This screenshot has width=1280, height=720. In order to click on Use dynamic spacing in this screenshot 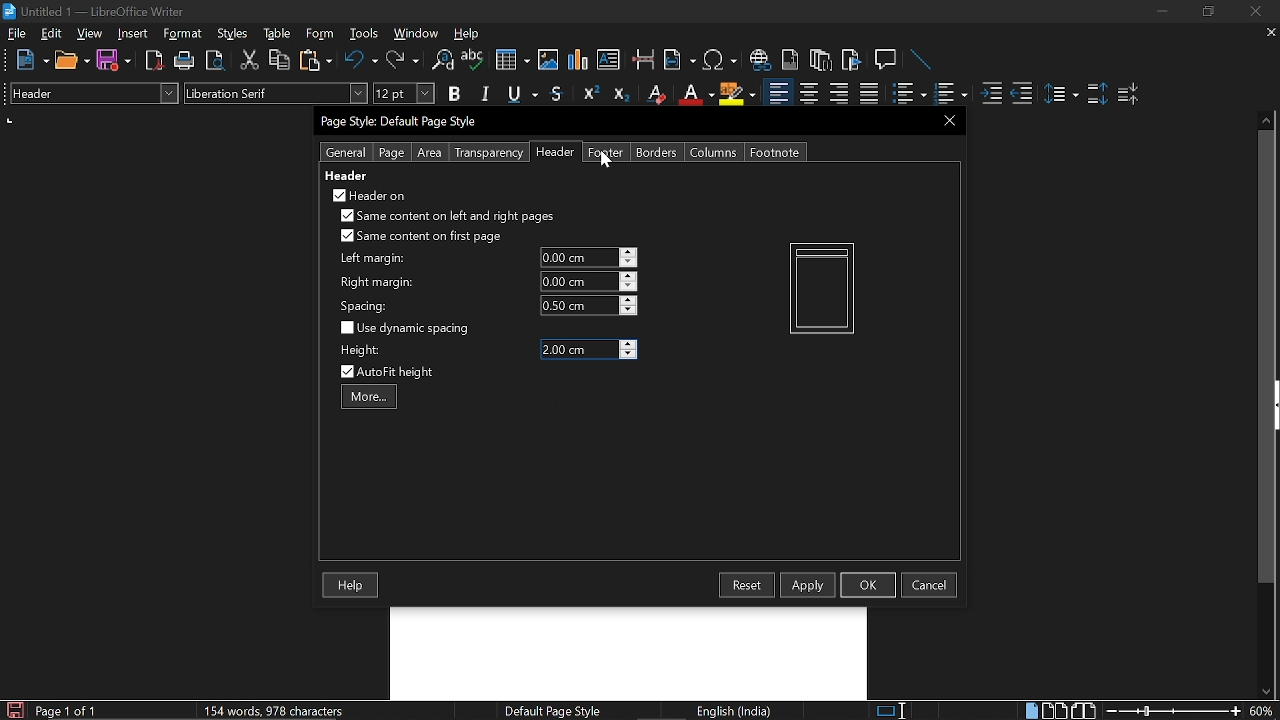, I will do `click(408, 328)`.